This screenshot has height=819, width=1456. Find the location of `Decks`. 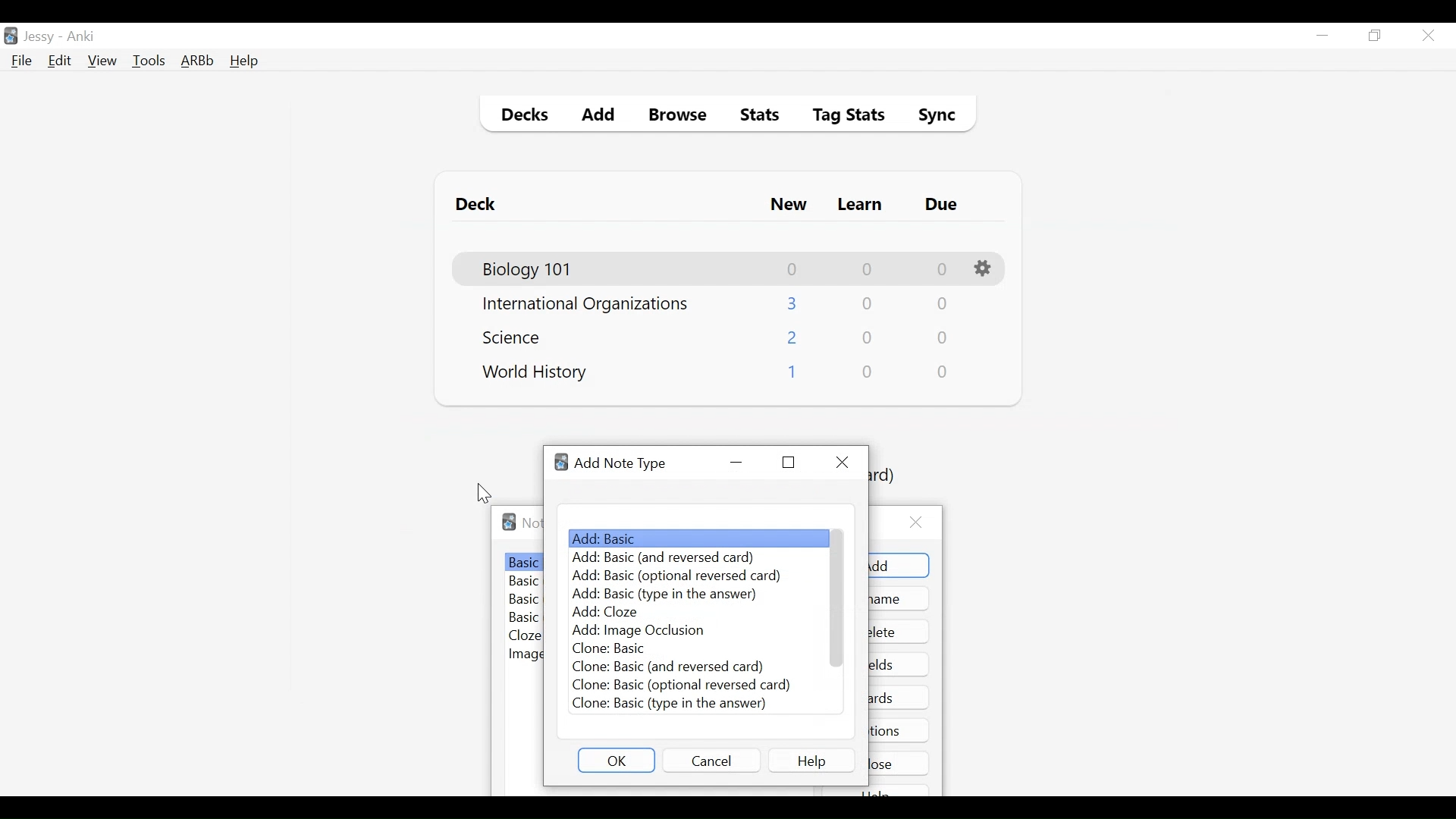

Decks is located at coordinates (521, 117).